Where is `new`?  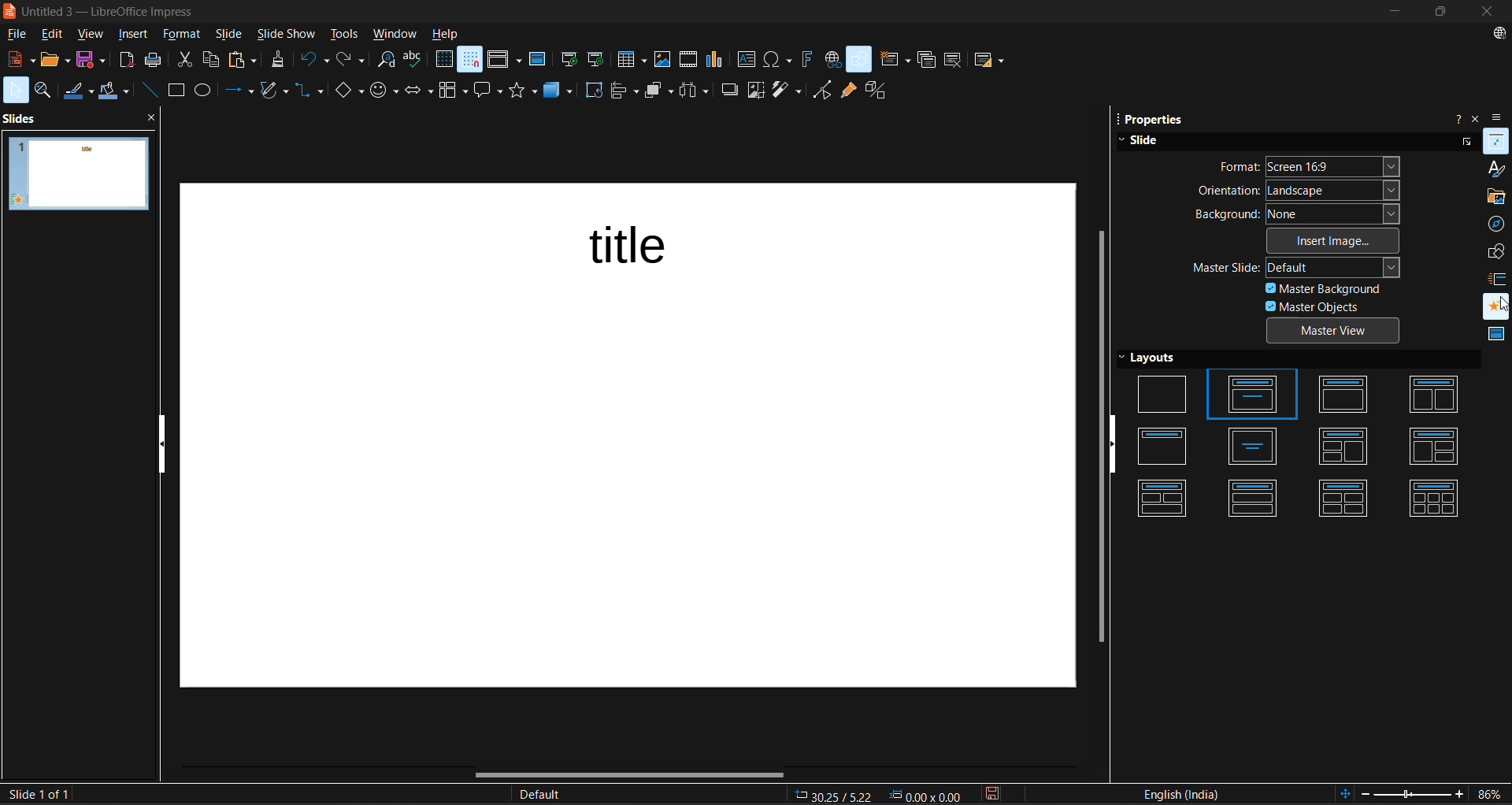
new is located at coordinates (18, 60).